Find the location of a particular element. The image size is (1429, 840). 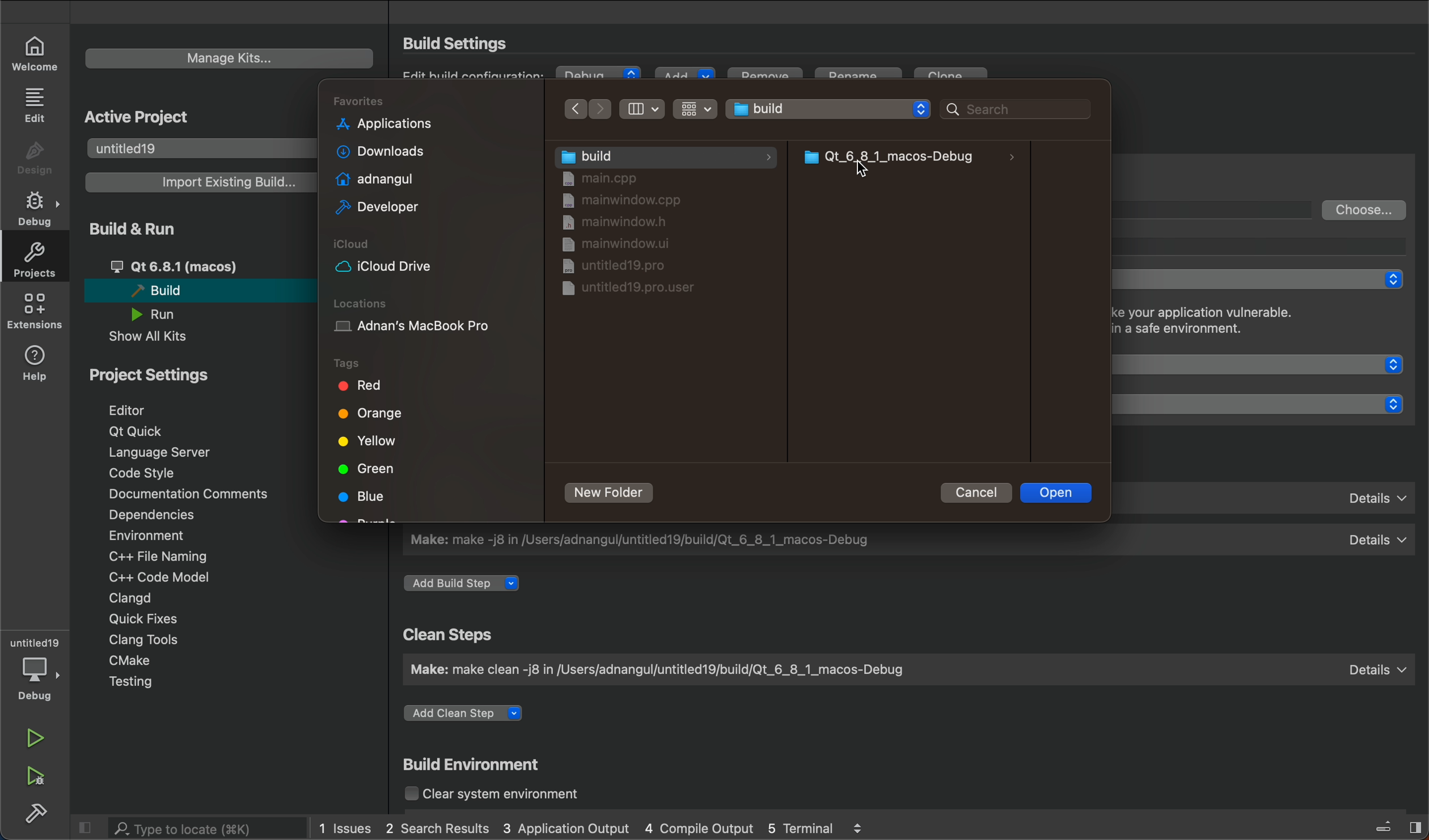

adnan gul is located at coordinates (372, 177).